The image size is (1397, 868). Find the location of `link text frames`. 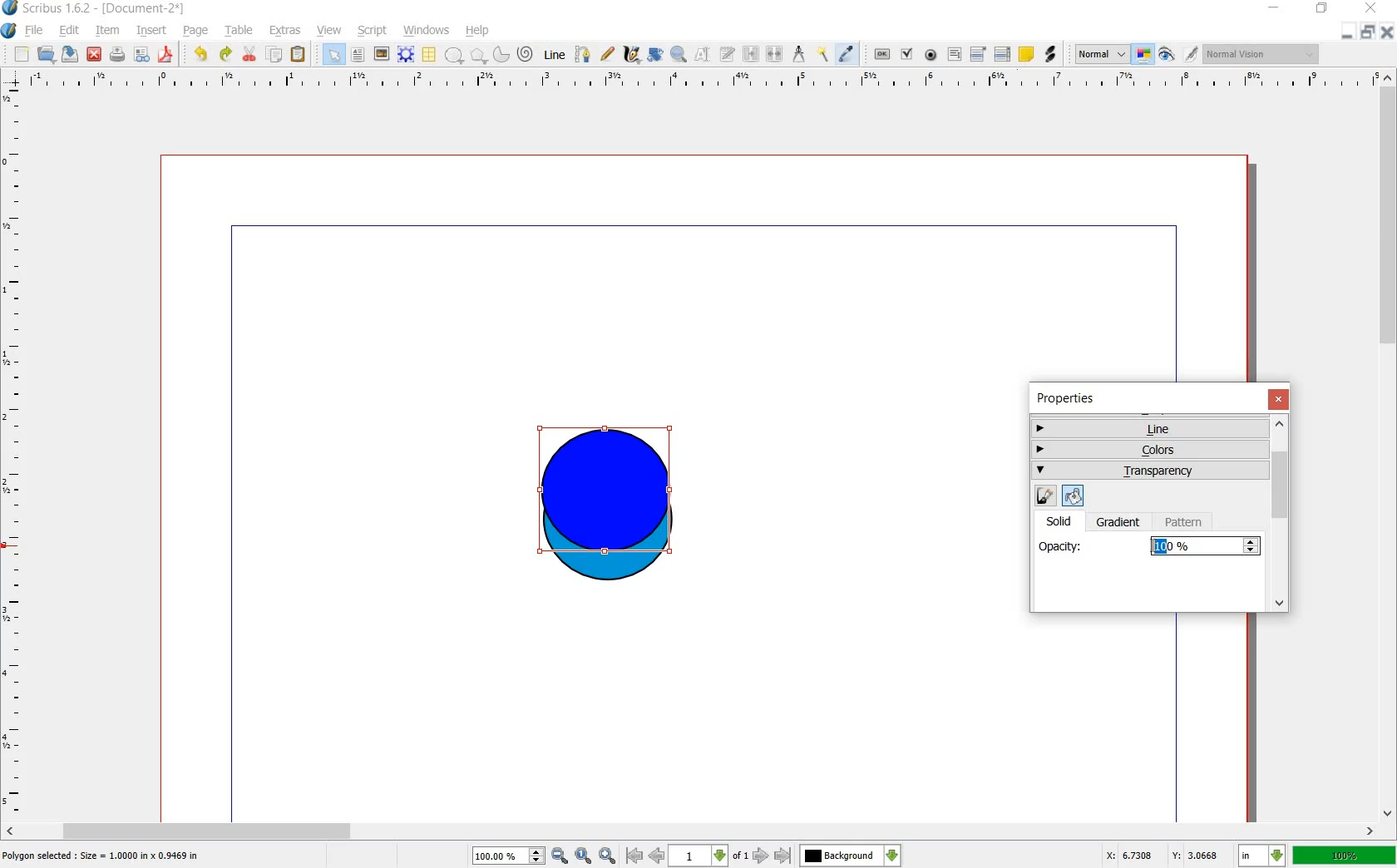

link text frames is located at coordinates (752, 55).